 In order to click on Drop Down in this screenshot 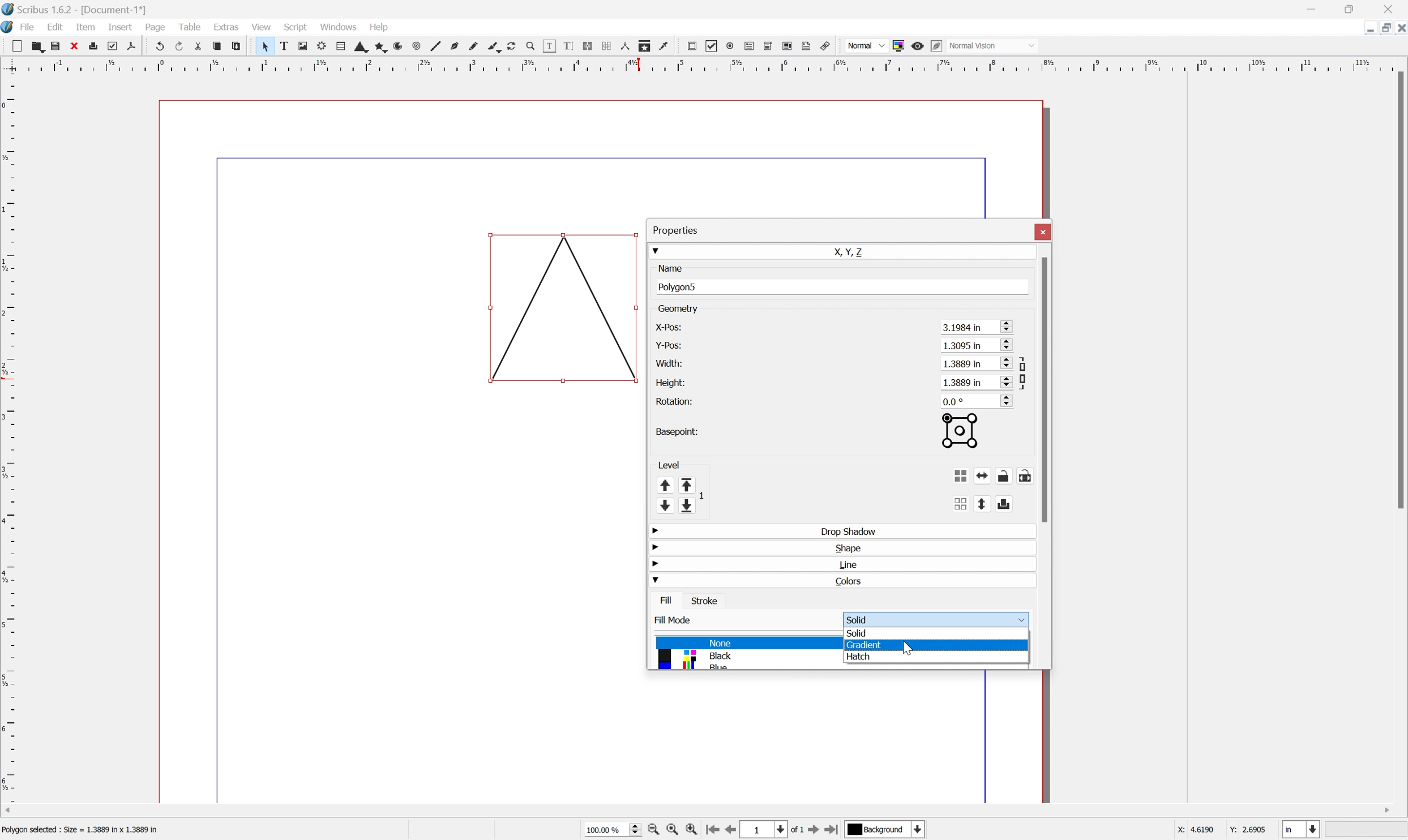, I will do `click(655, 581)`.